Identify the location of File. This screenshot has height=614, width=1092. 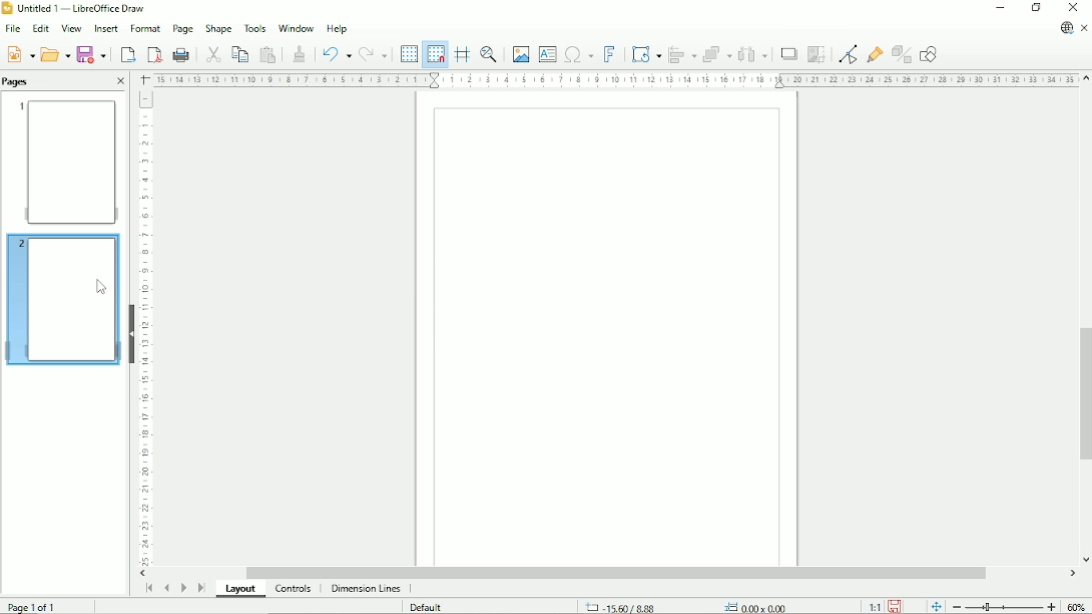
(11, 29).